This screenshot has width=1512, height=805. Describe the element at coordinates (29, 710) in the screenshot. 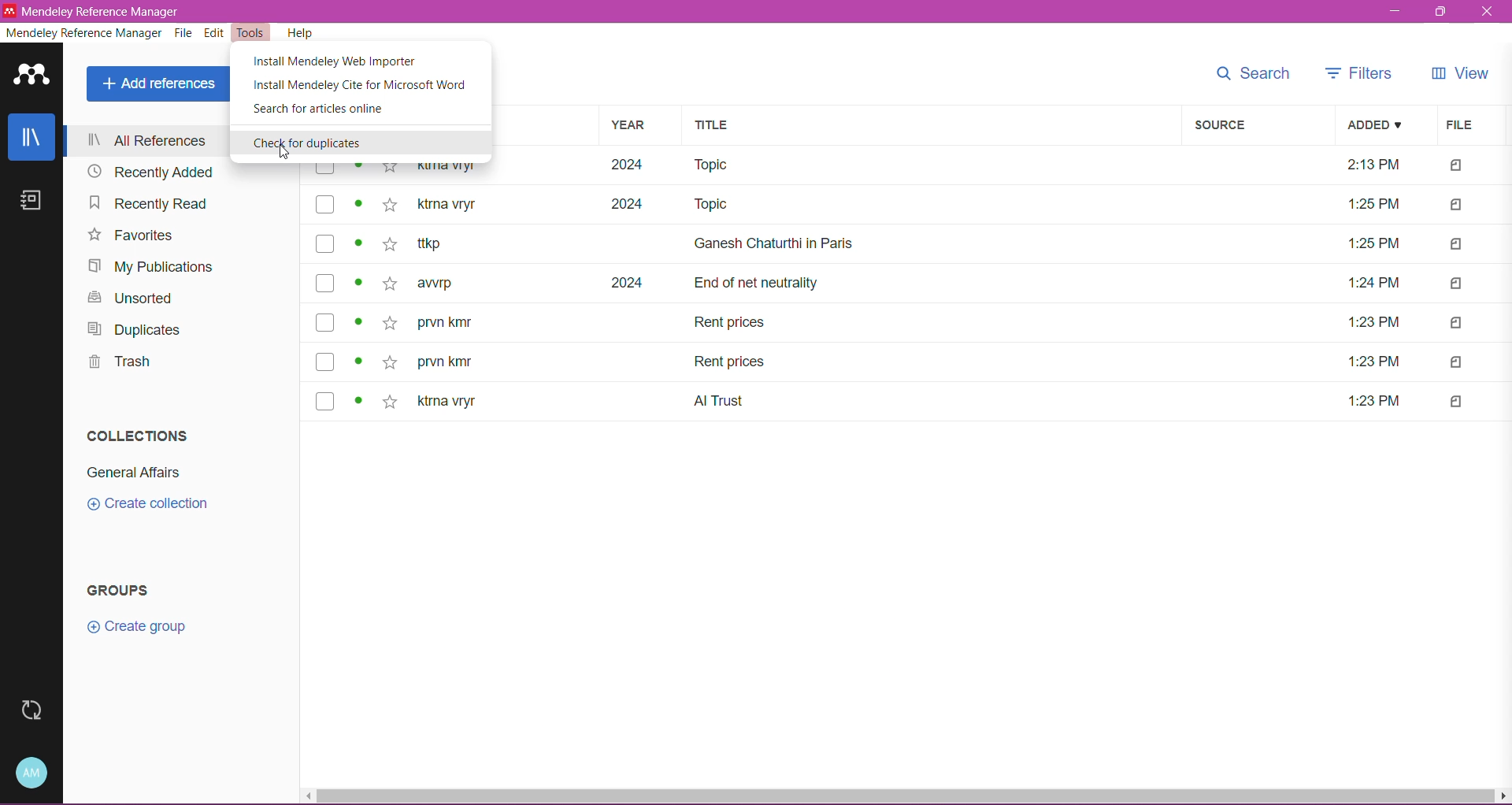

I see `Last Sync` at that location.